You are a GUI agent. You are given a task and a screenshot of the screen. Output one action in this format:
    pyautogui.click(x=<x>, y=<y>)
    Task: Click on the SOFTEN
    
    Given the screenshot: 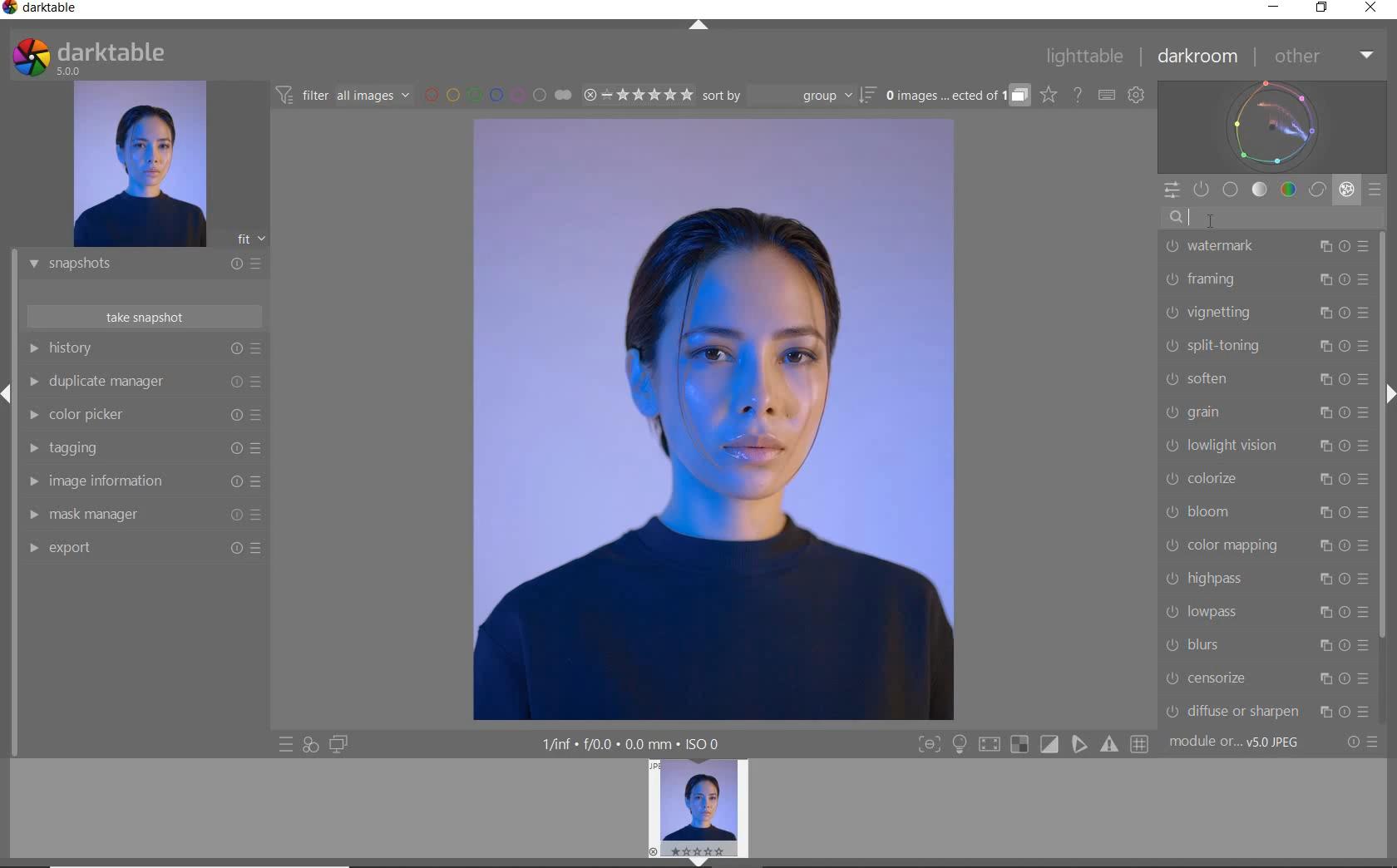 What is the action you would take?
    pyautogui.click(x=1265, y=377)
    